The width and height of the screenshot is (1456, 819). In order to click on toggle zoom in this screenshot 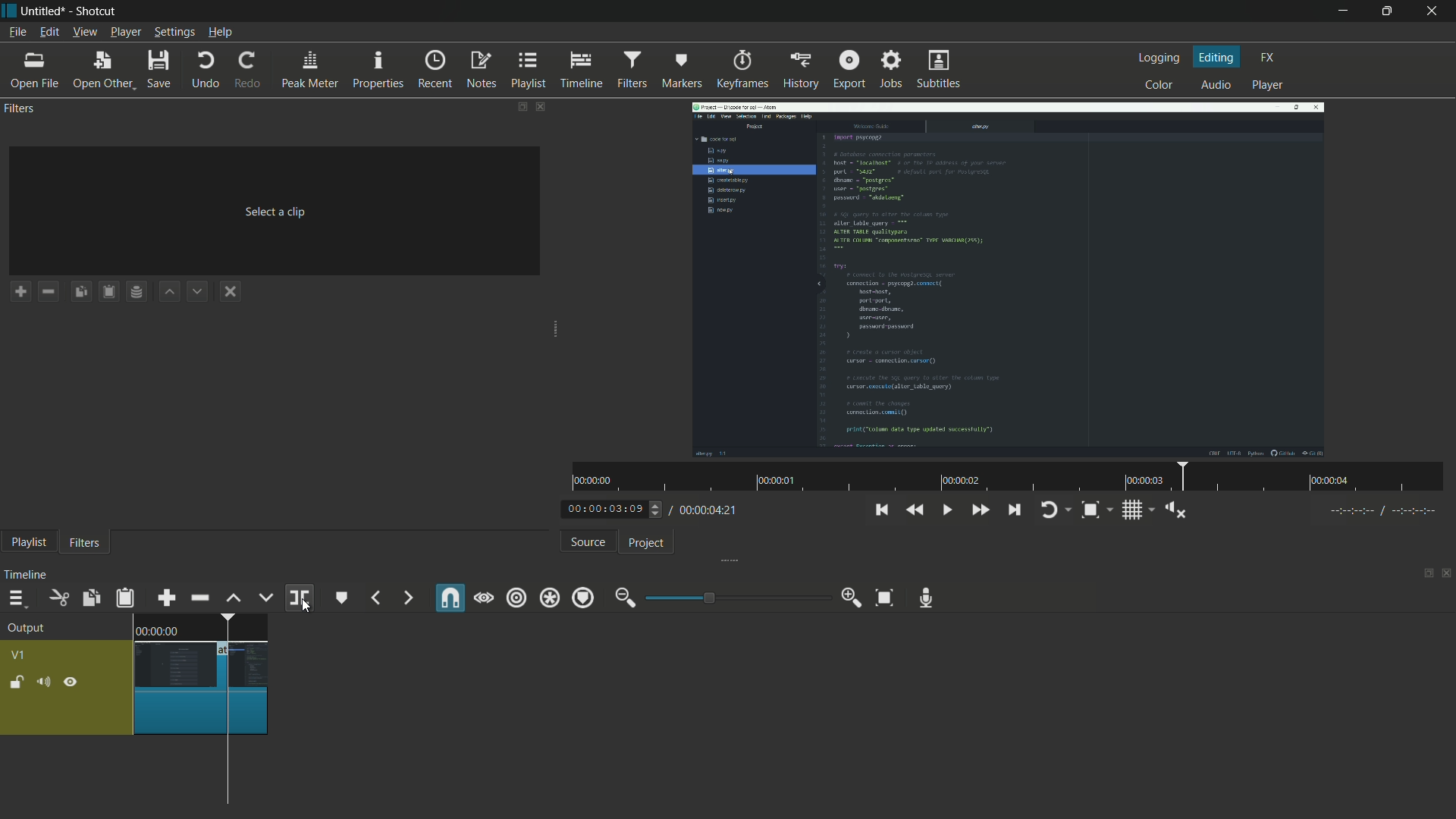, I will do `click(1090, 510)`.